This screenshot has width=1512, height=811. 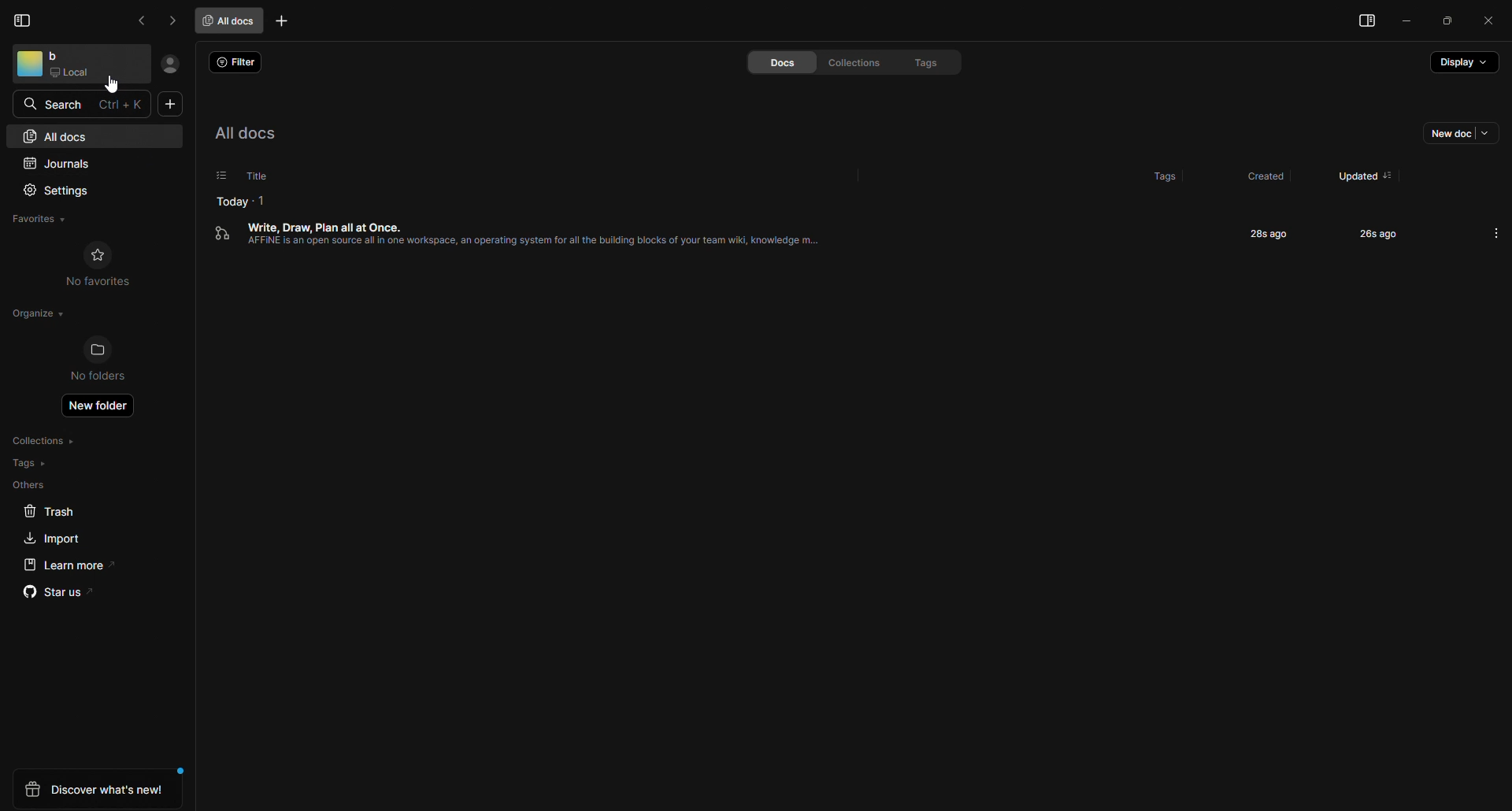 What do you see at coordinates (1448, 21) in the screenshot?
I see `maximize` at bounding box center [1448, 21].